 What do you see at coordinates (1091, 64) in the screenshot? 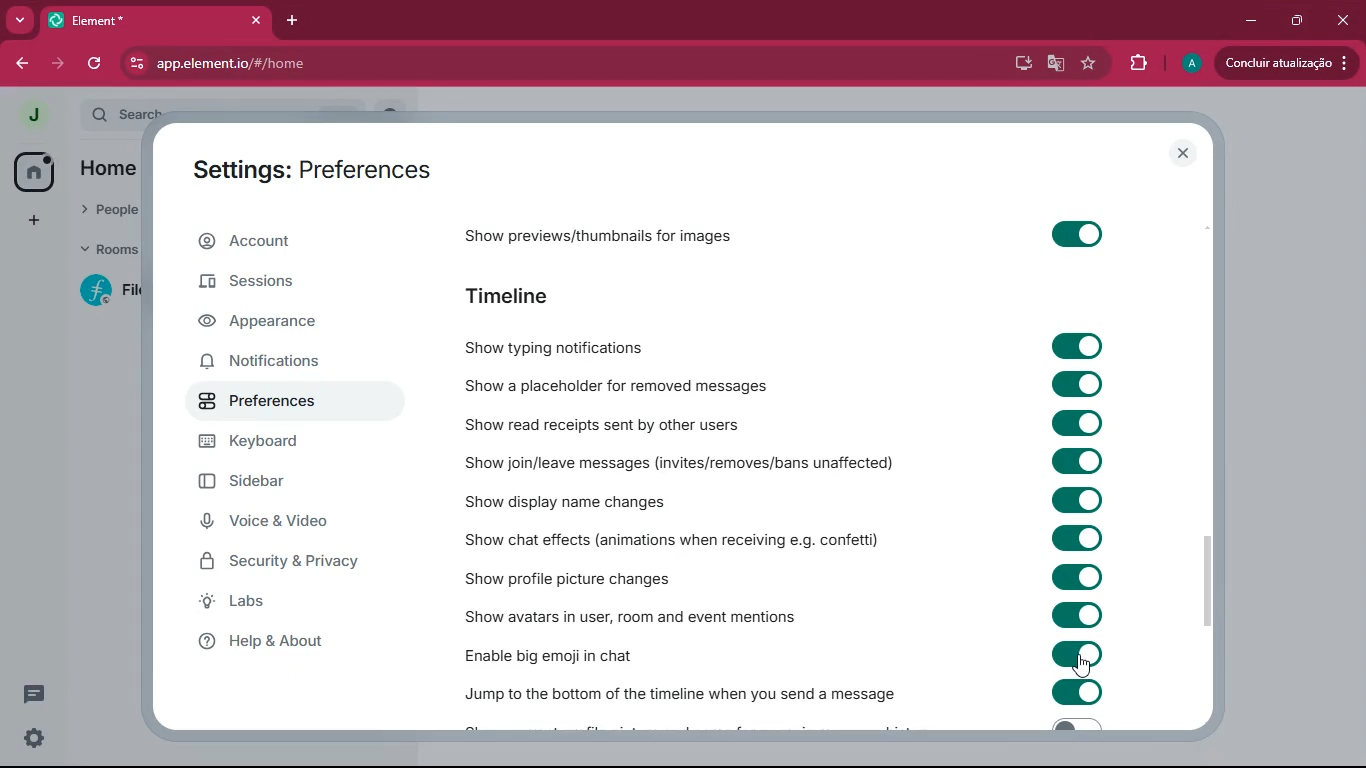
I see `favourite` at bounding box center [1091, 64].